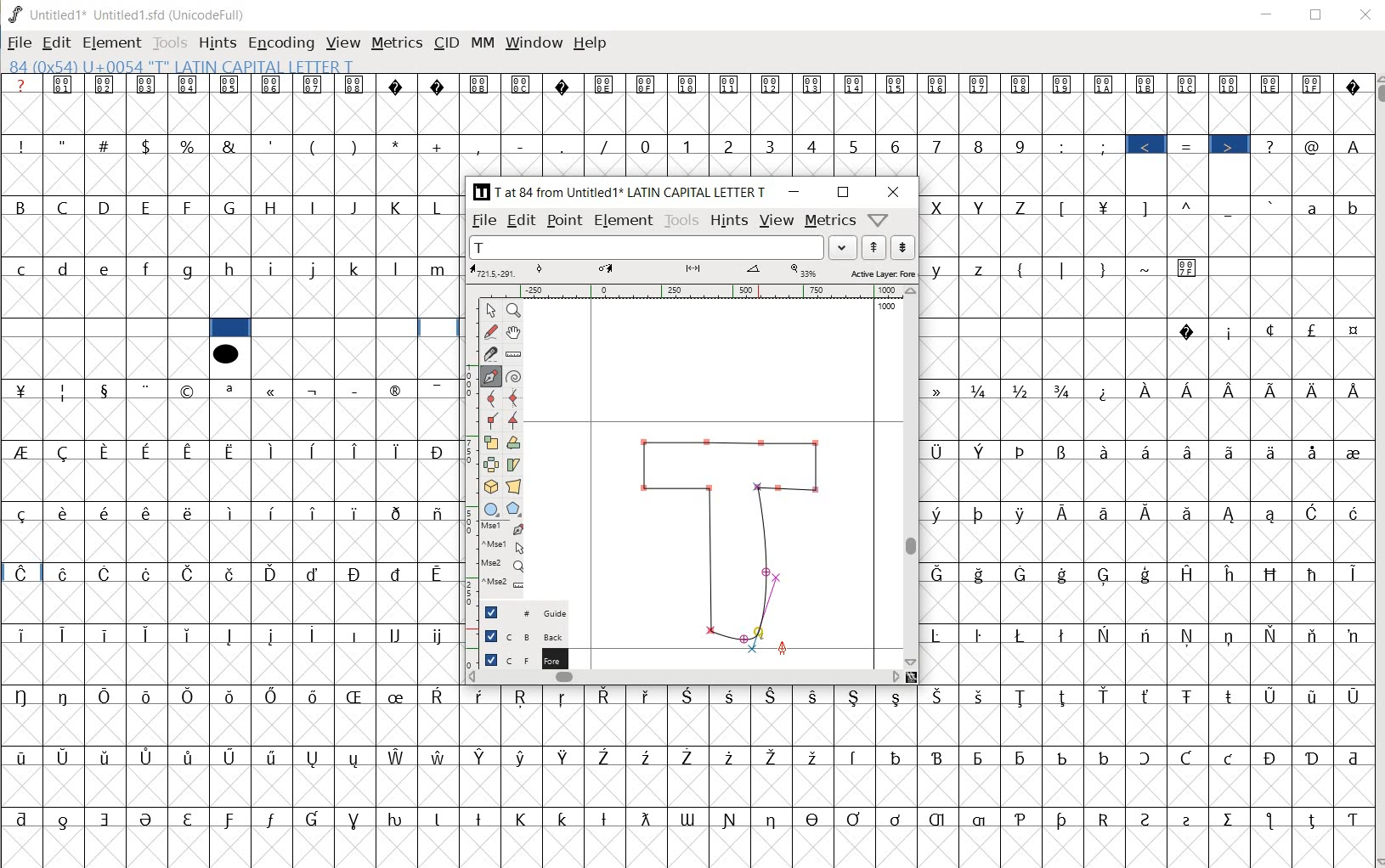  Describe the element at coordinates (399, 573) in the screenshot. I see `Symbol` at that location.